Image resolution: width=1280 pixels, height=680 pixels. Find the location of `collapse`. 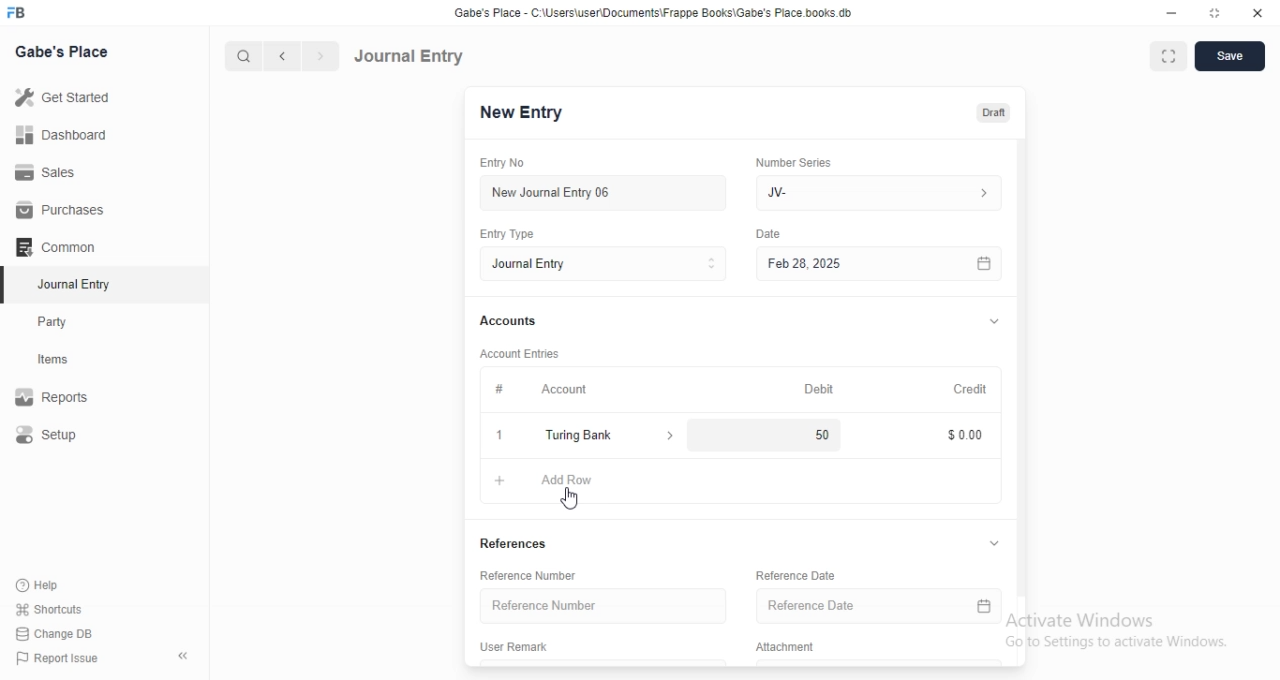

collapse is located at coordinates (996, 544).